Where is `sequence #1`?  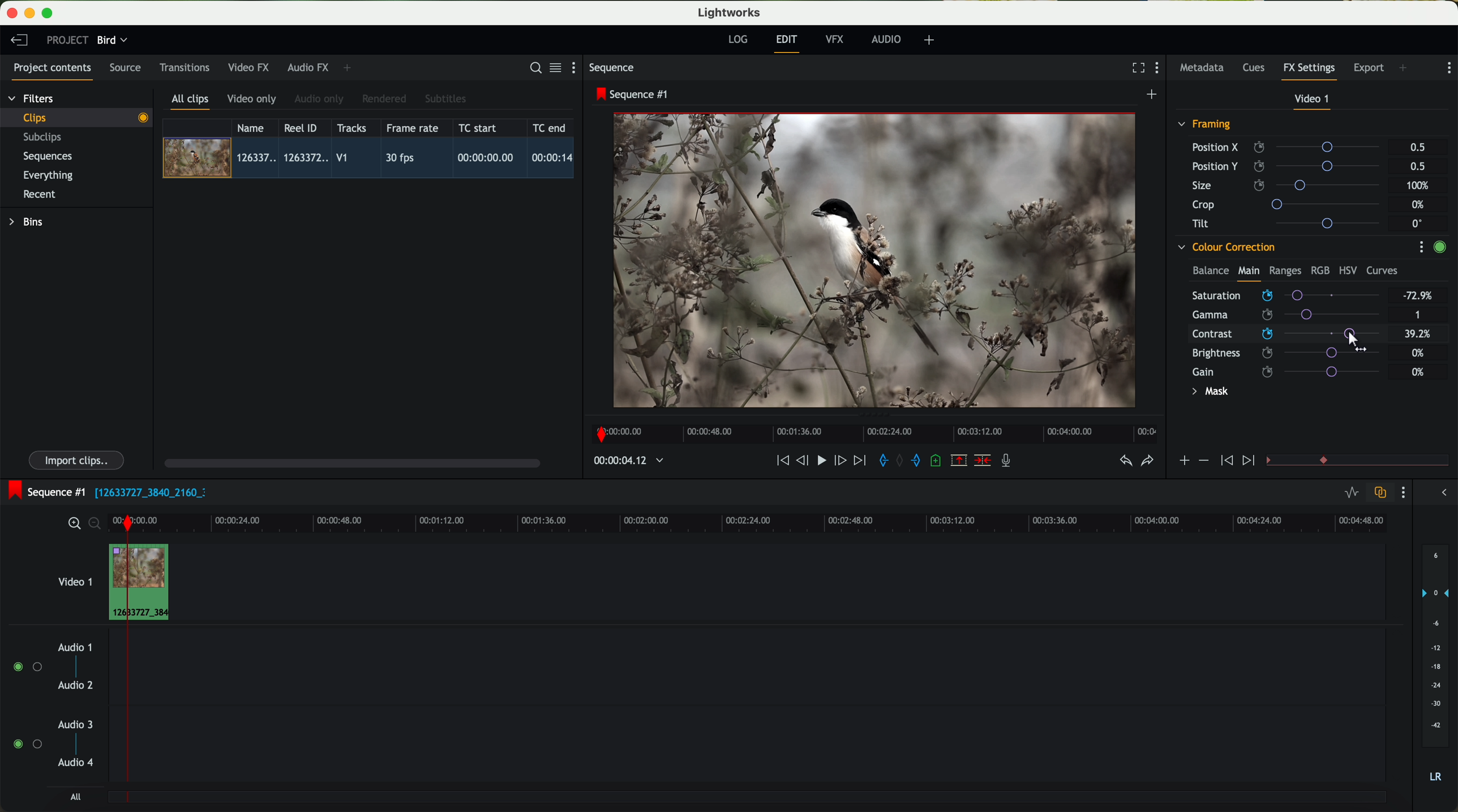
sequence #1 is located at coordinates (44, 492).